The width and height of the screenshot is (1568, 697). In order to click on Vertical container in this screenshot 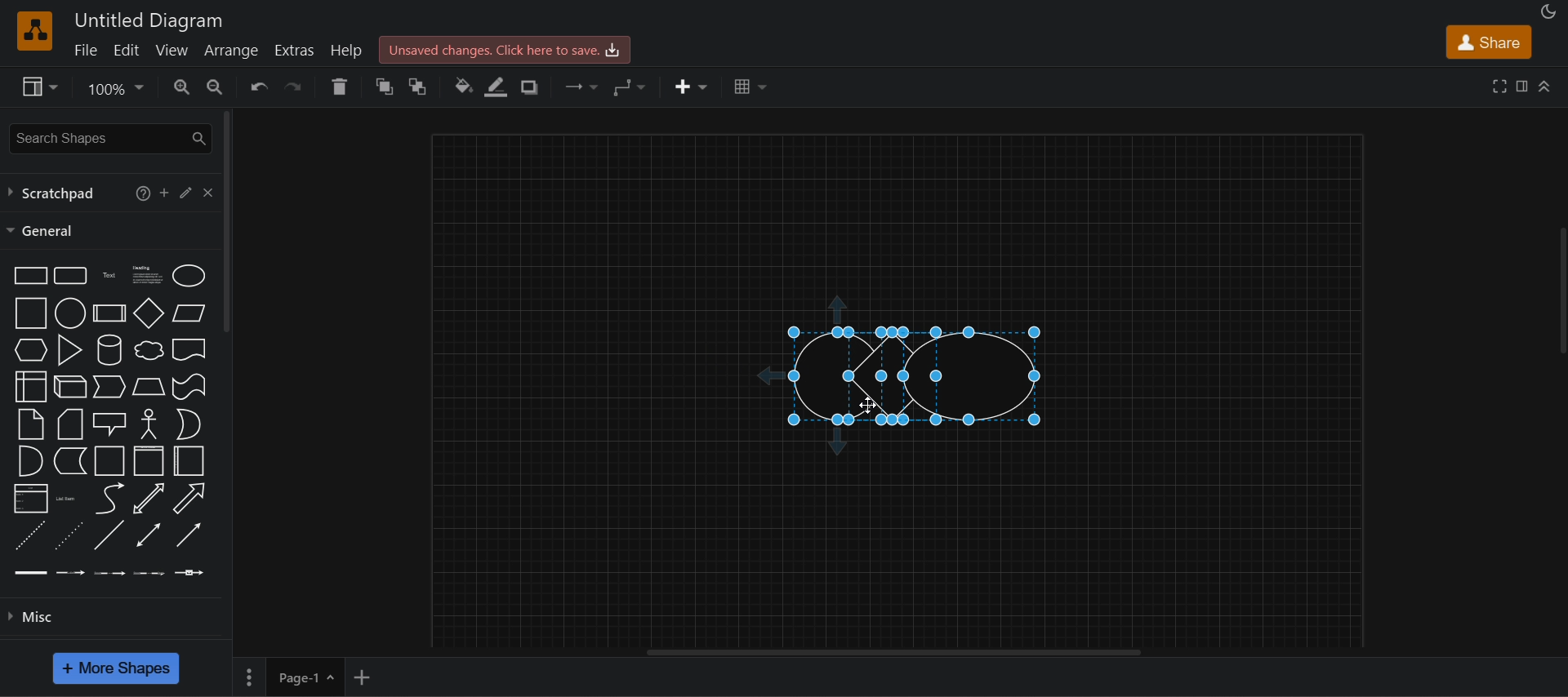, I will do `click(149, 461)`.